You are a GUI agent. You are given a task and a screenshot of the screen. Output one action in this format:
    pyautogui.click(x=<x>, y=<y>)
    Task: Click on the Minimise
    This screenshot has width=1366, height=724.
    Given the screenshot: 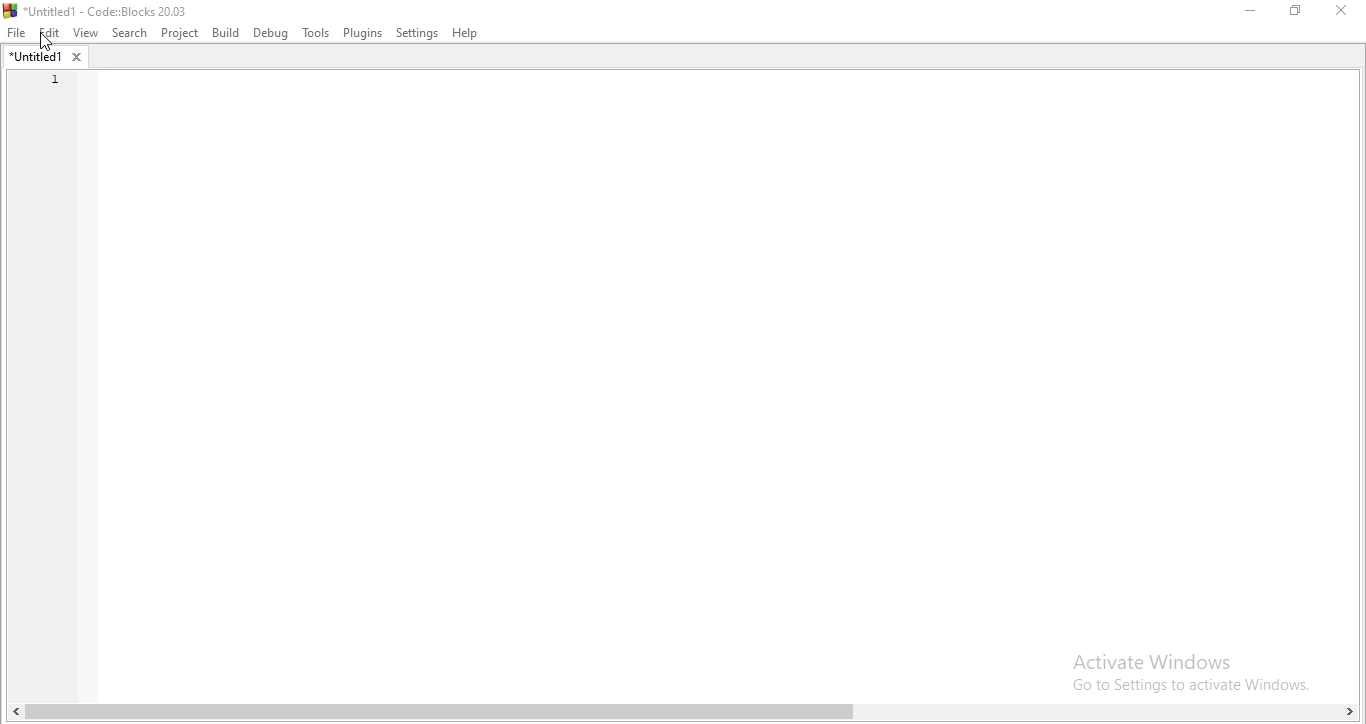 What is the action you would take?
    pyautogui.click(x=1247, y=13)
    